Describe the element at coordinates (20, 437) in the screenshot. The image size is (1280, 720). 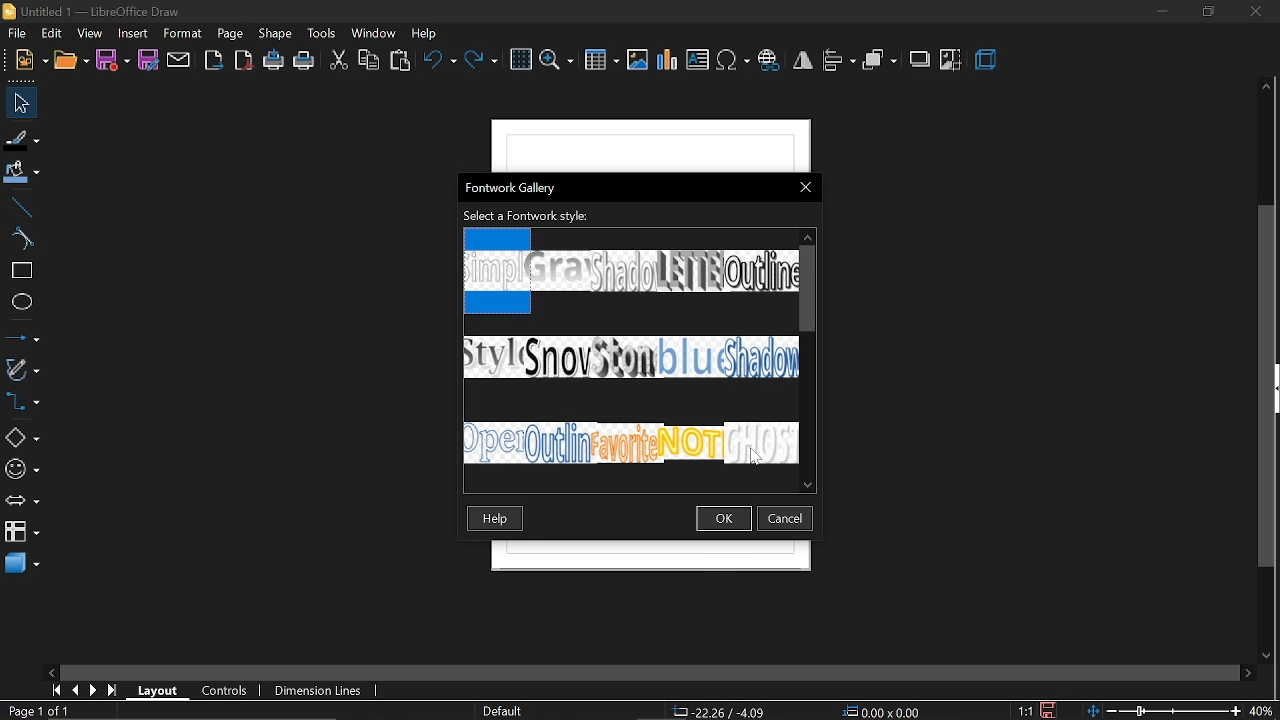
I see `basic shapes` at that location.